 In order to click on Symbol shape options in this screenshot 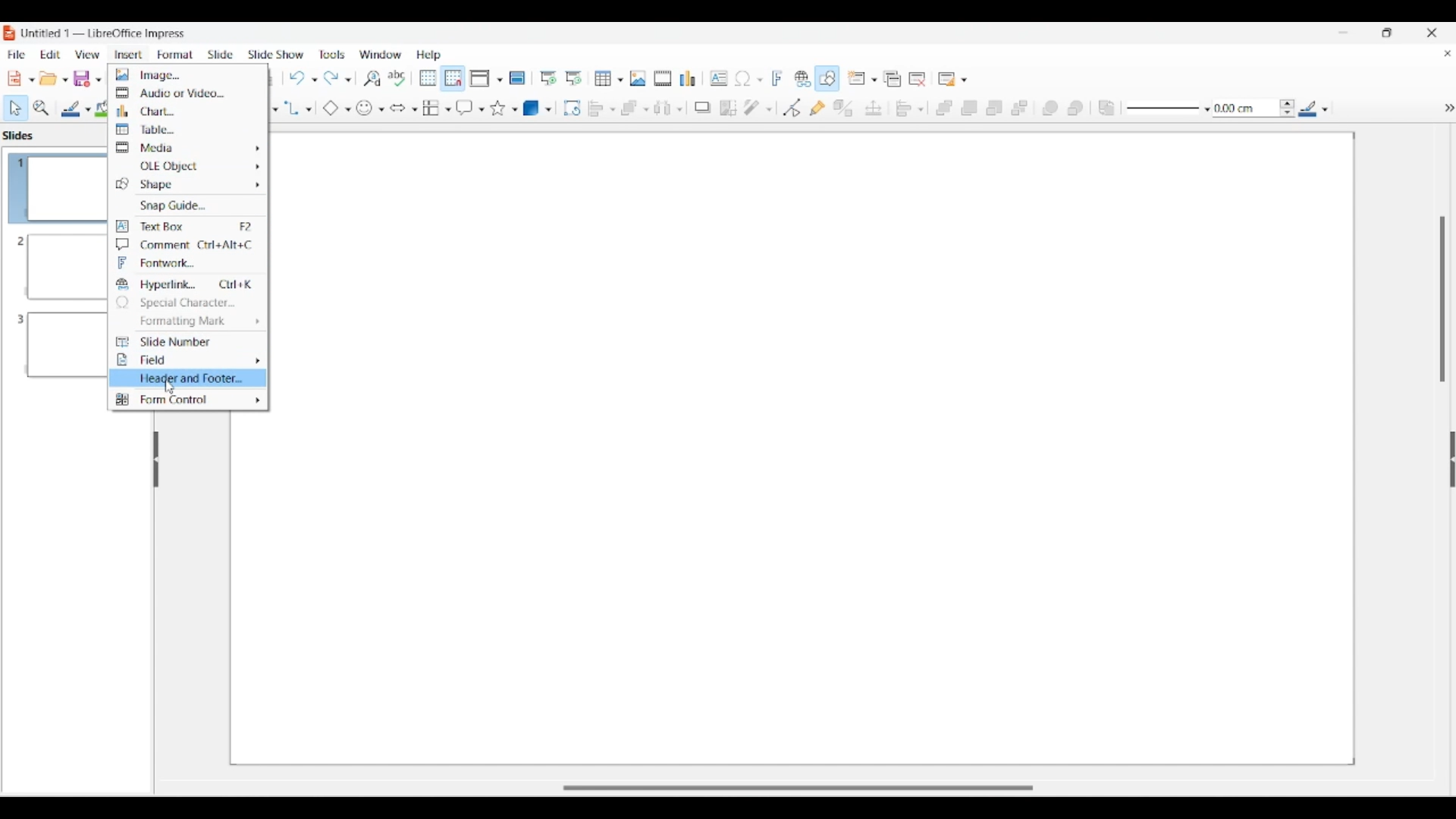, I will do `click(371, 108)`.